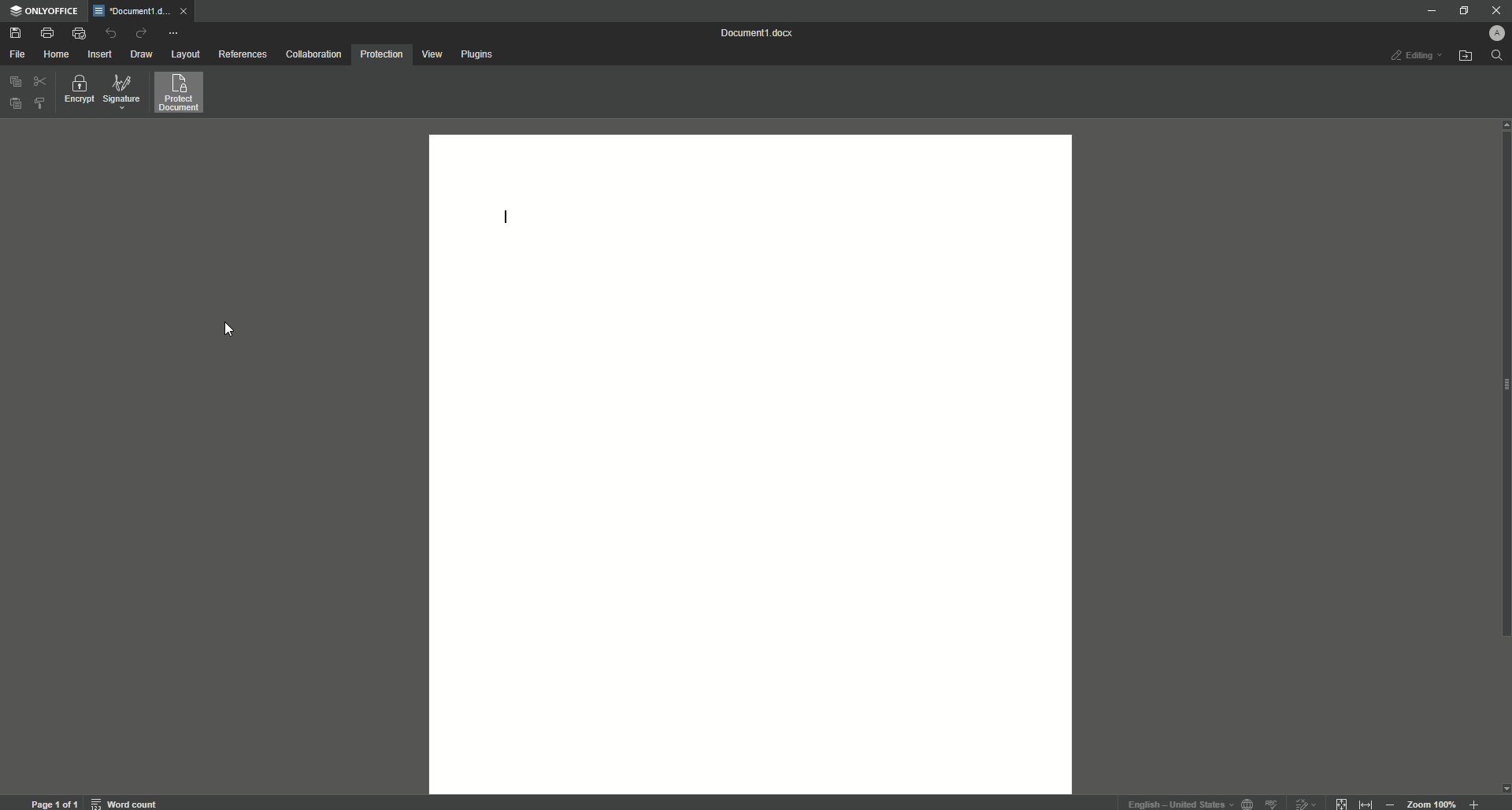 The image size is (1512, 810). I want to click on File, so click(20, 53).